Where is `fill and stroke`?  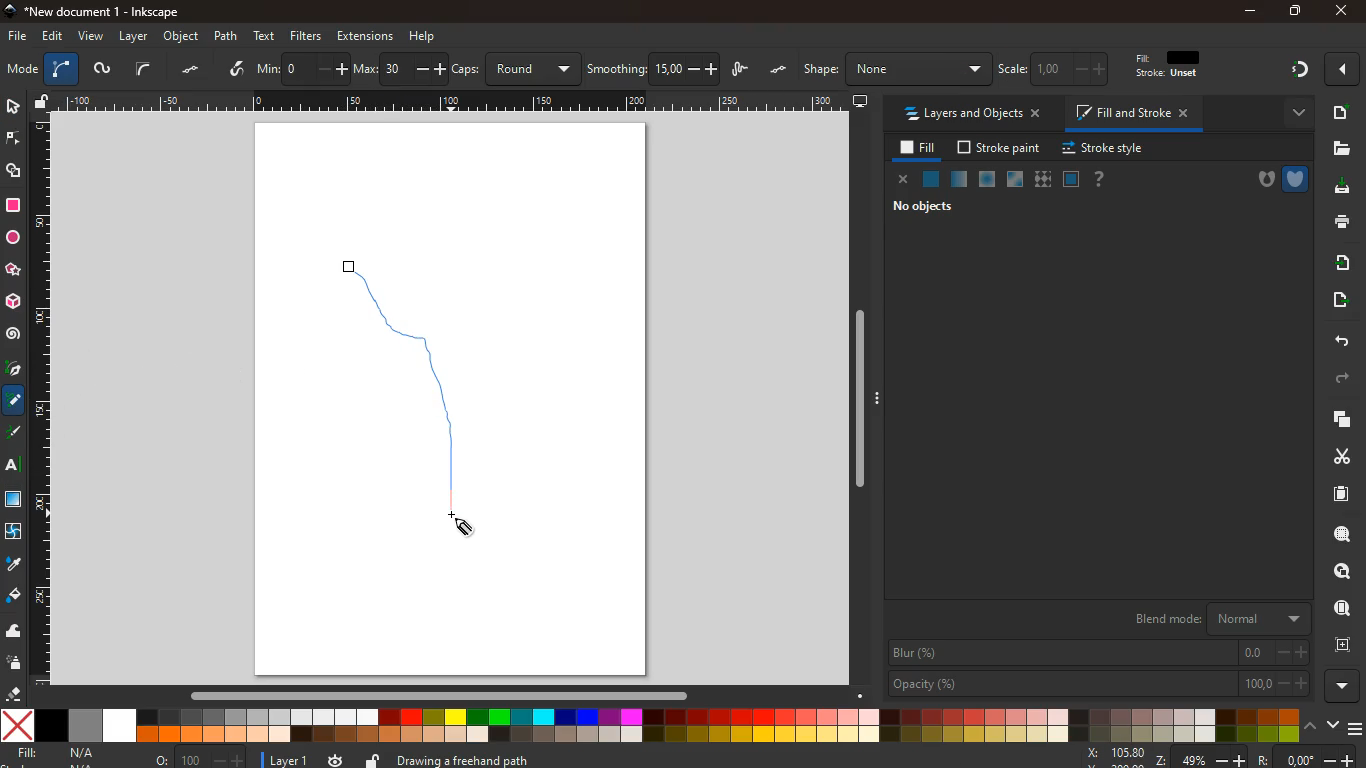
fill and stroke is located at coordinates (1133, 112).